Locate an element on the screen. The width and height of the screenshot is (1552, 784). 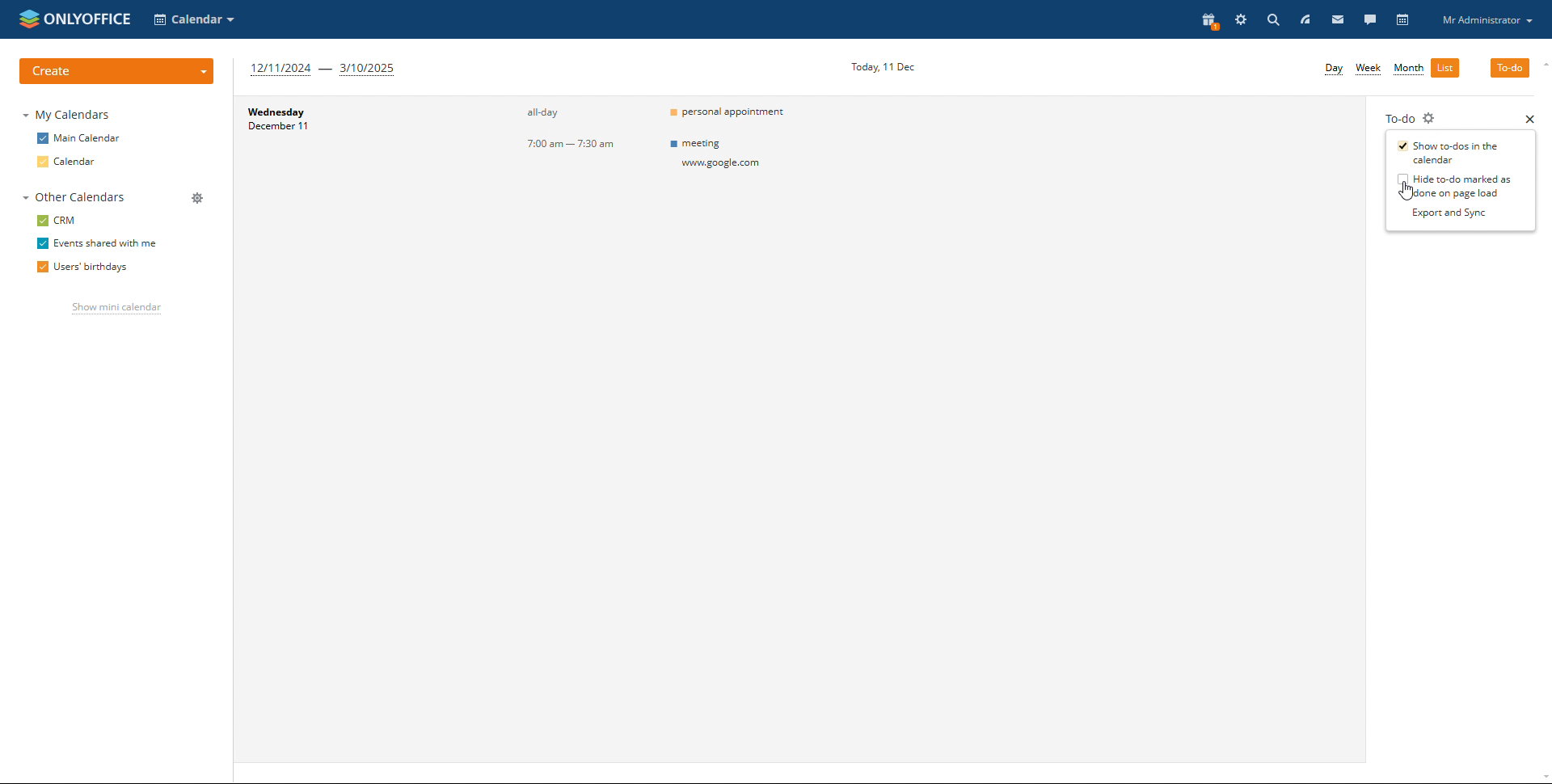
select application is located at coordinates (194, 19).